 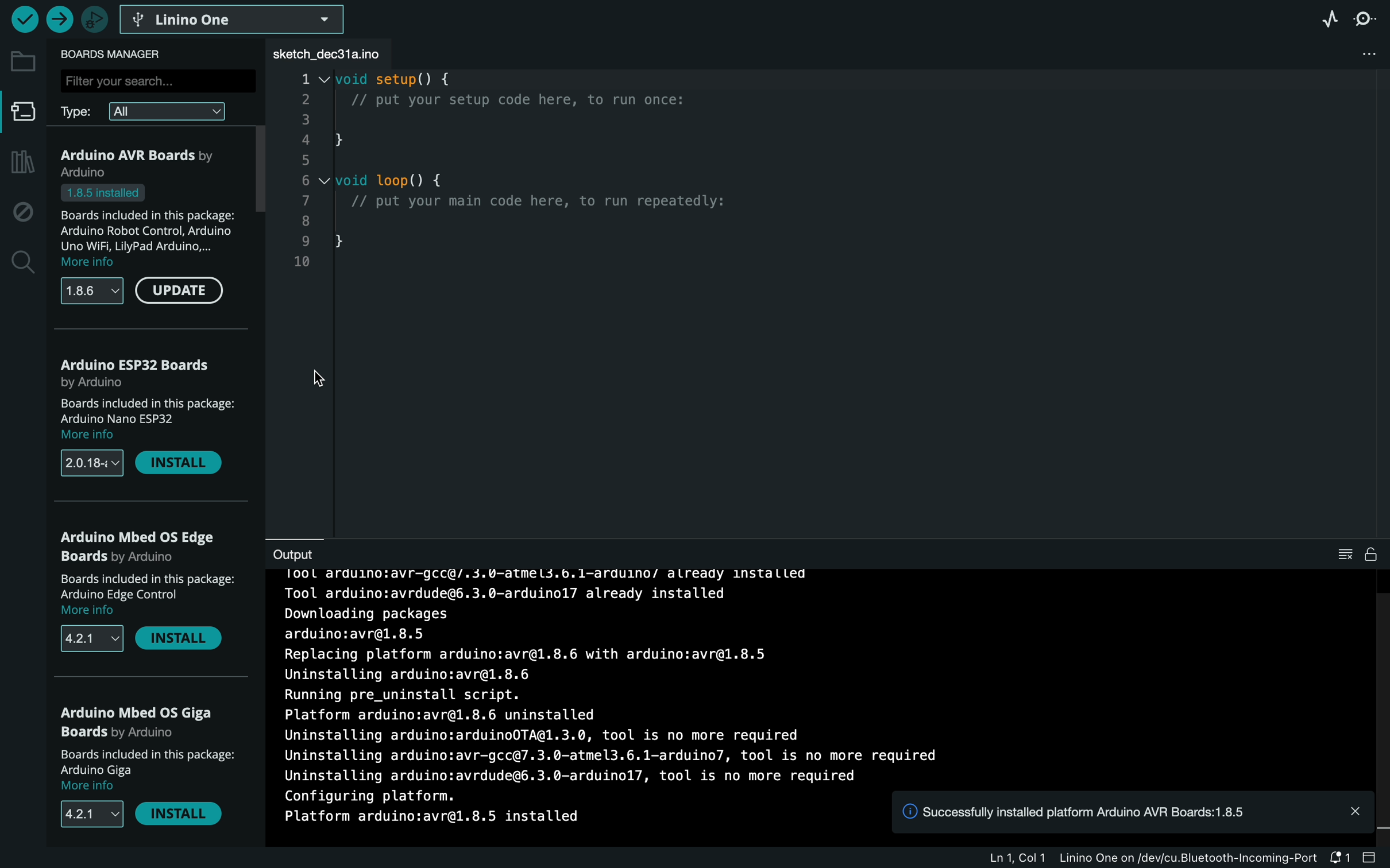 I want to click on verify, so click(x=24, y=18).